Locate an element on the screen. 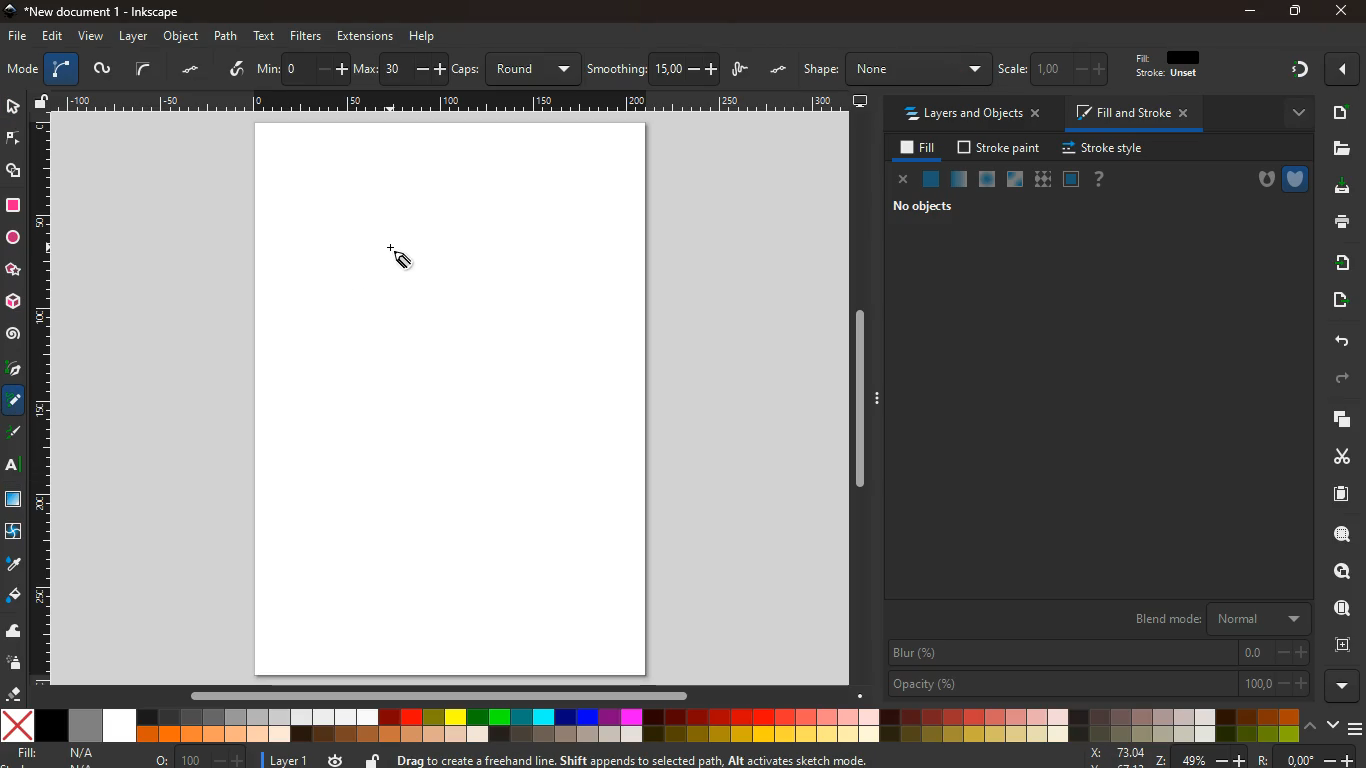 Image resolution: width=1366 pixels, height=768 pixels. document is located at coordinates (1343, 493).